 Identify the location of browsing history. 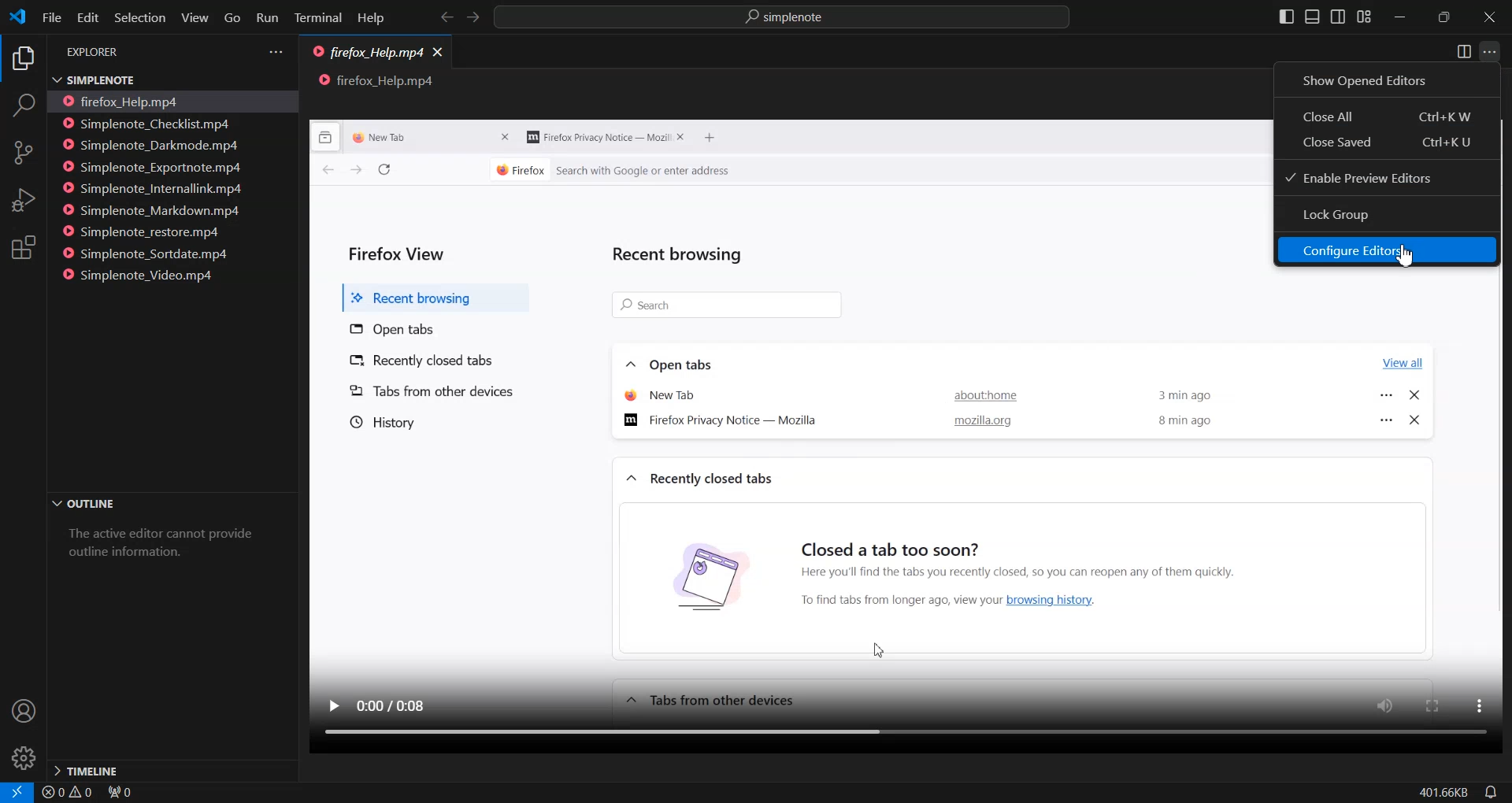
(691, 575).